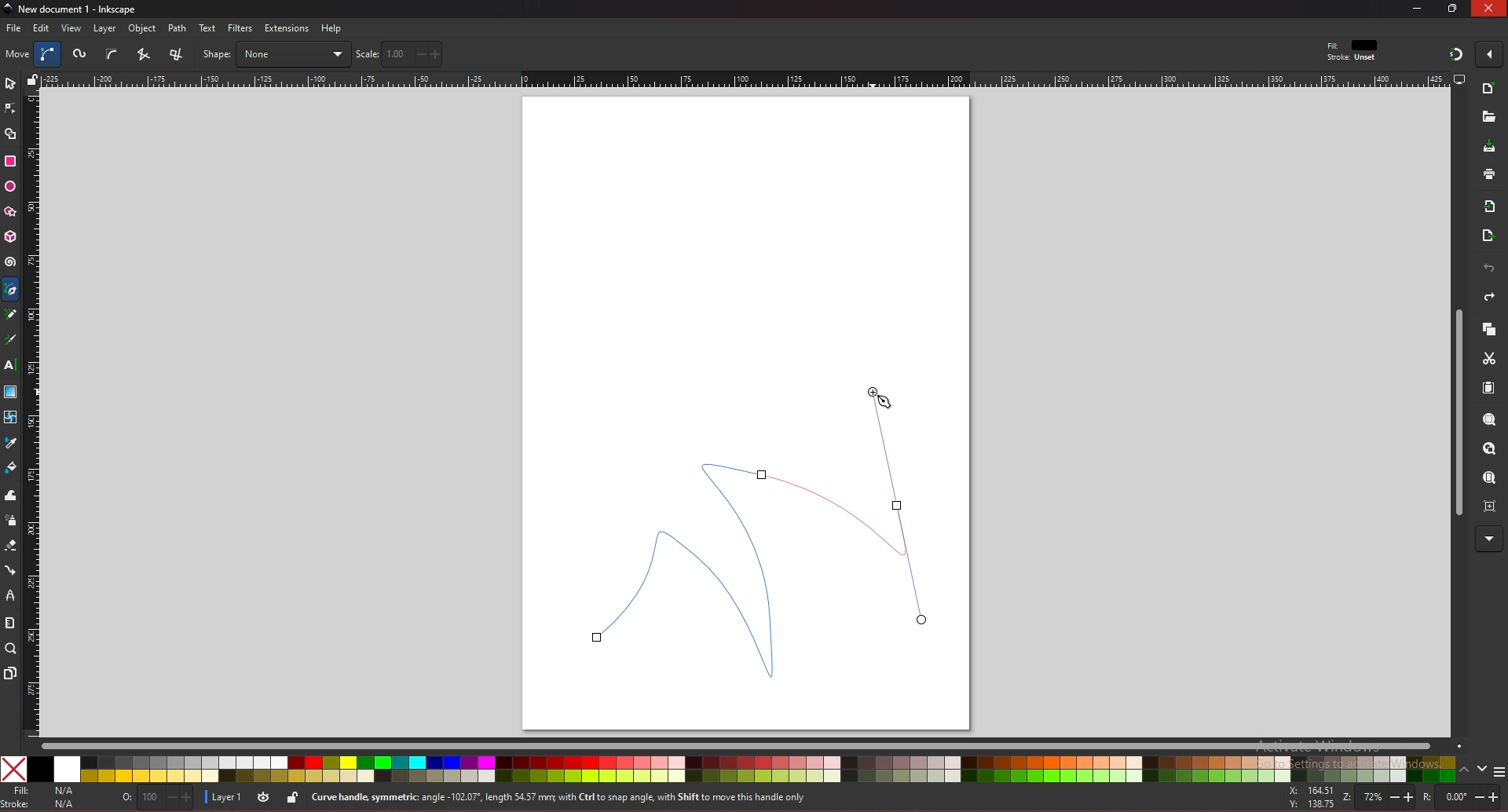 This screenshot has width=1508, height=812. Describe the element at coordinates (1488, 389) in the screenshot. I see `paste` at that location.